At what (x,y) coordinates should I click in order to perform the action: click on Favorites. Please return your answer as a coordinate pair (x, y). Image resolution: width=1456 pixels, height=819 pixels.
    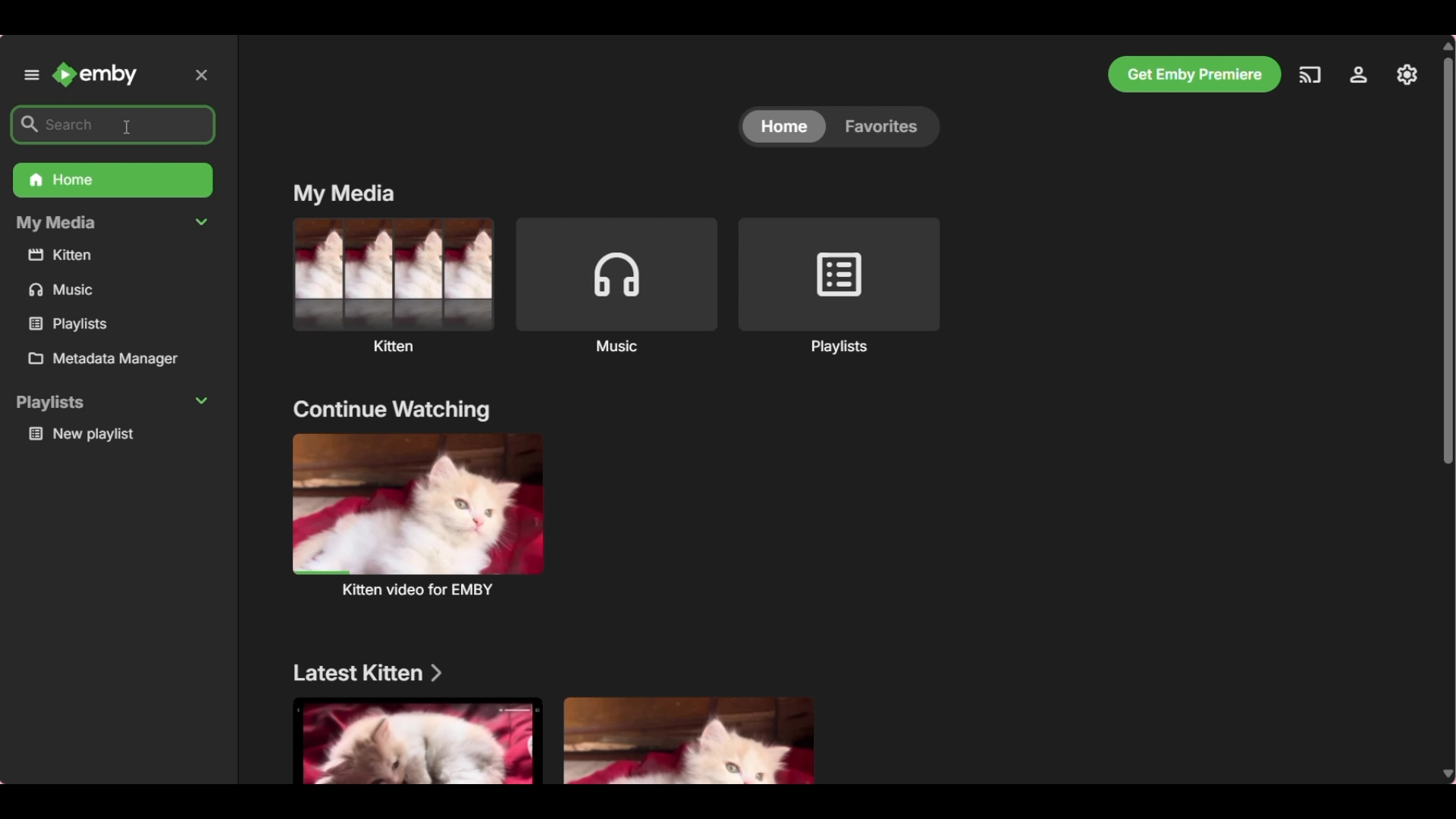
    Looking at the image, I should click on (884, 129).